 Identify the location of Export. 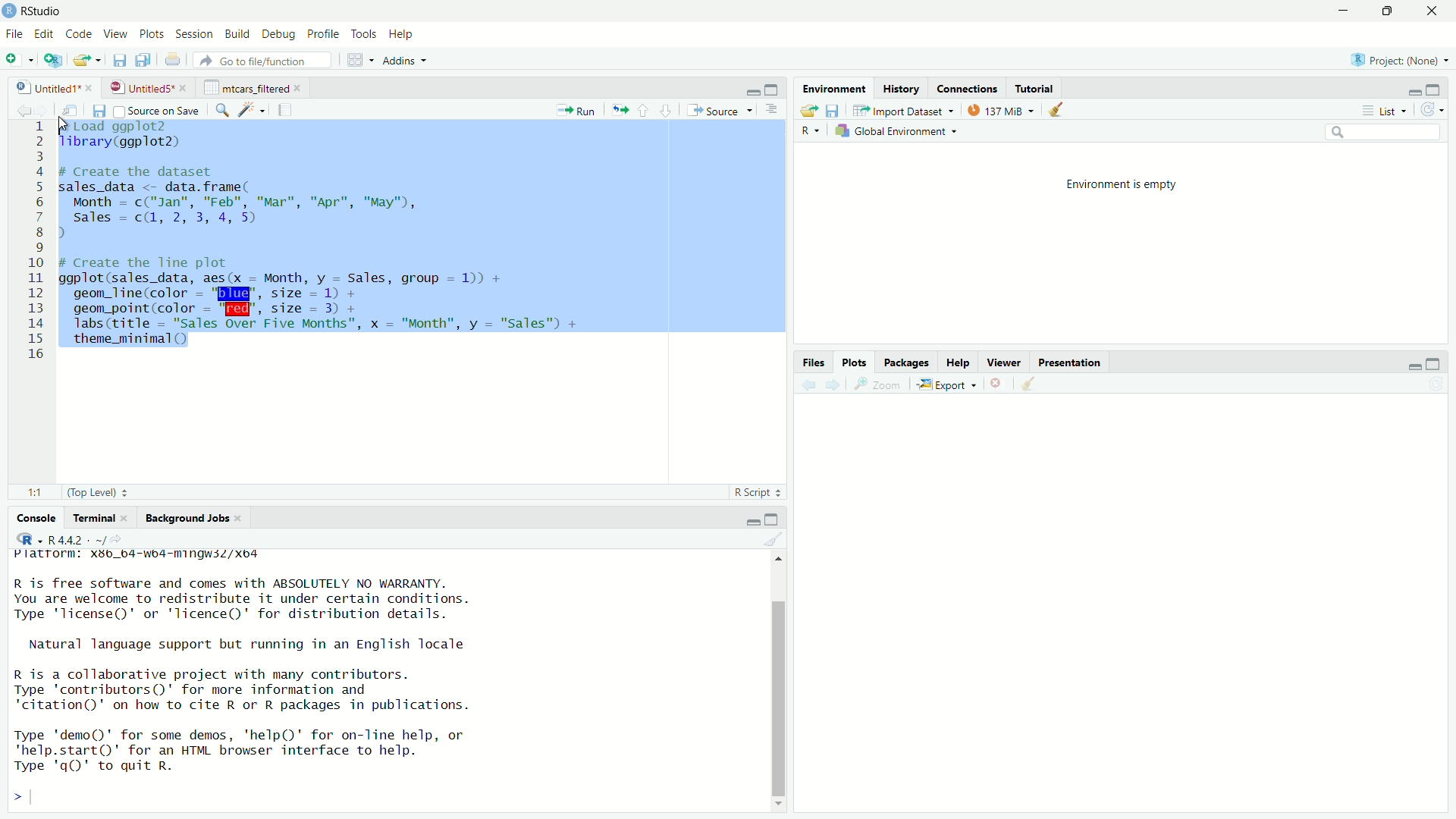
(946, 385).